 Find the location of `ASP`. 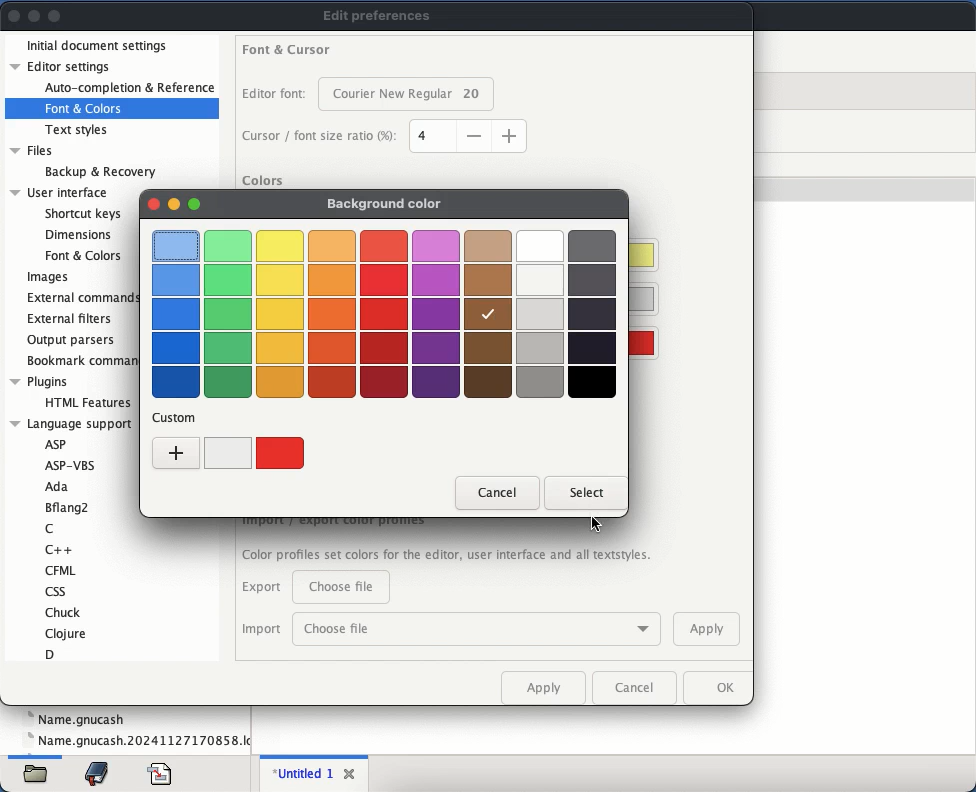

ASP is located at coordinates (57, 442).